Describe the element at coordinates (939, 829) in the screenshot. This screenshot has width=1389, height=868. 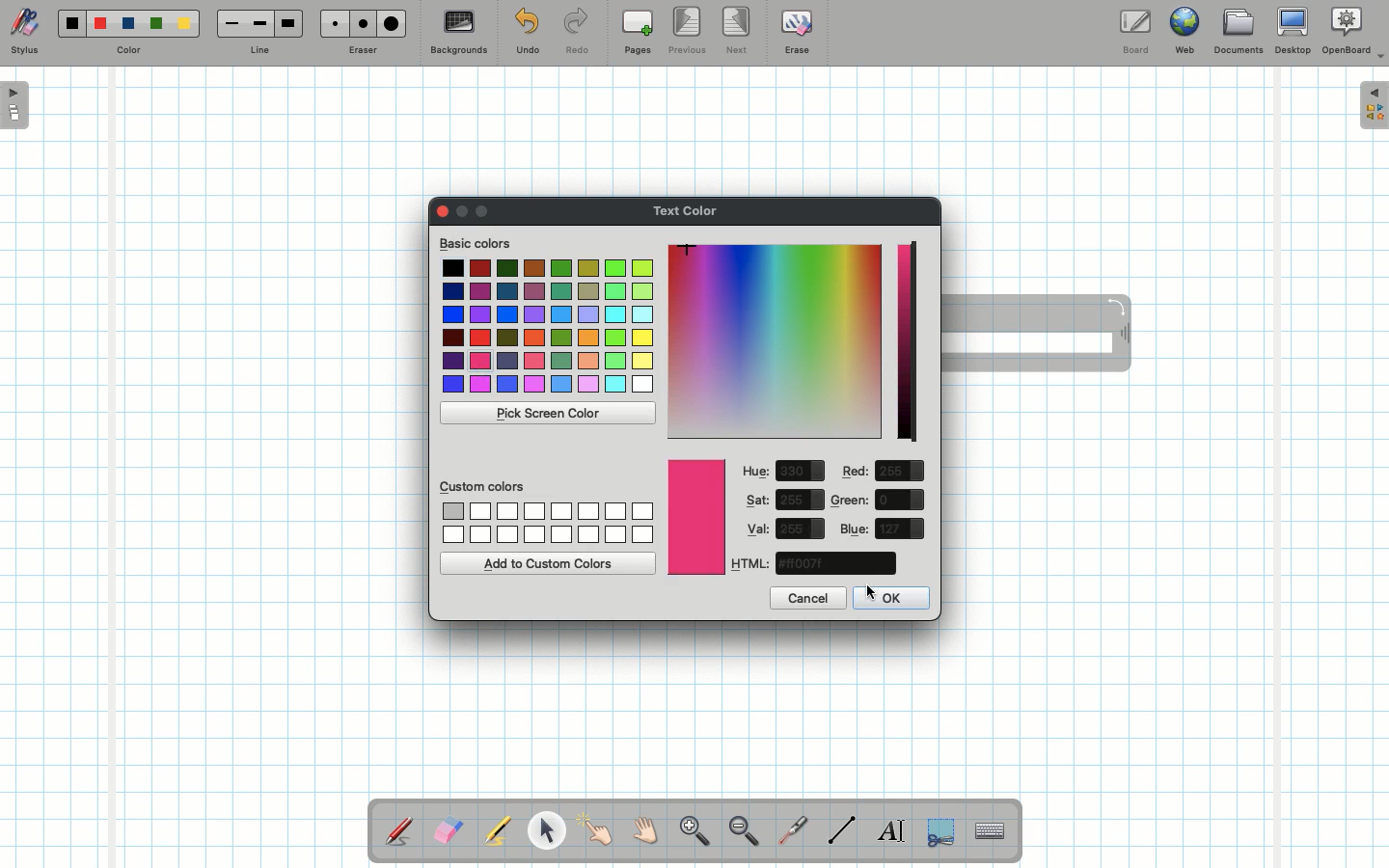
I see `Selection` at that location.